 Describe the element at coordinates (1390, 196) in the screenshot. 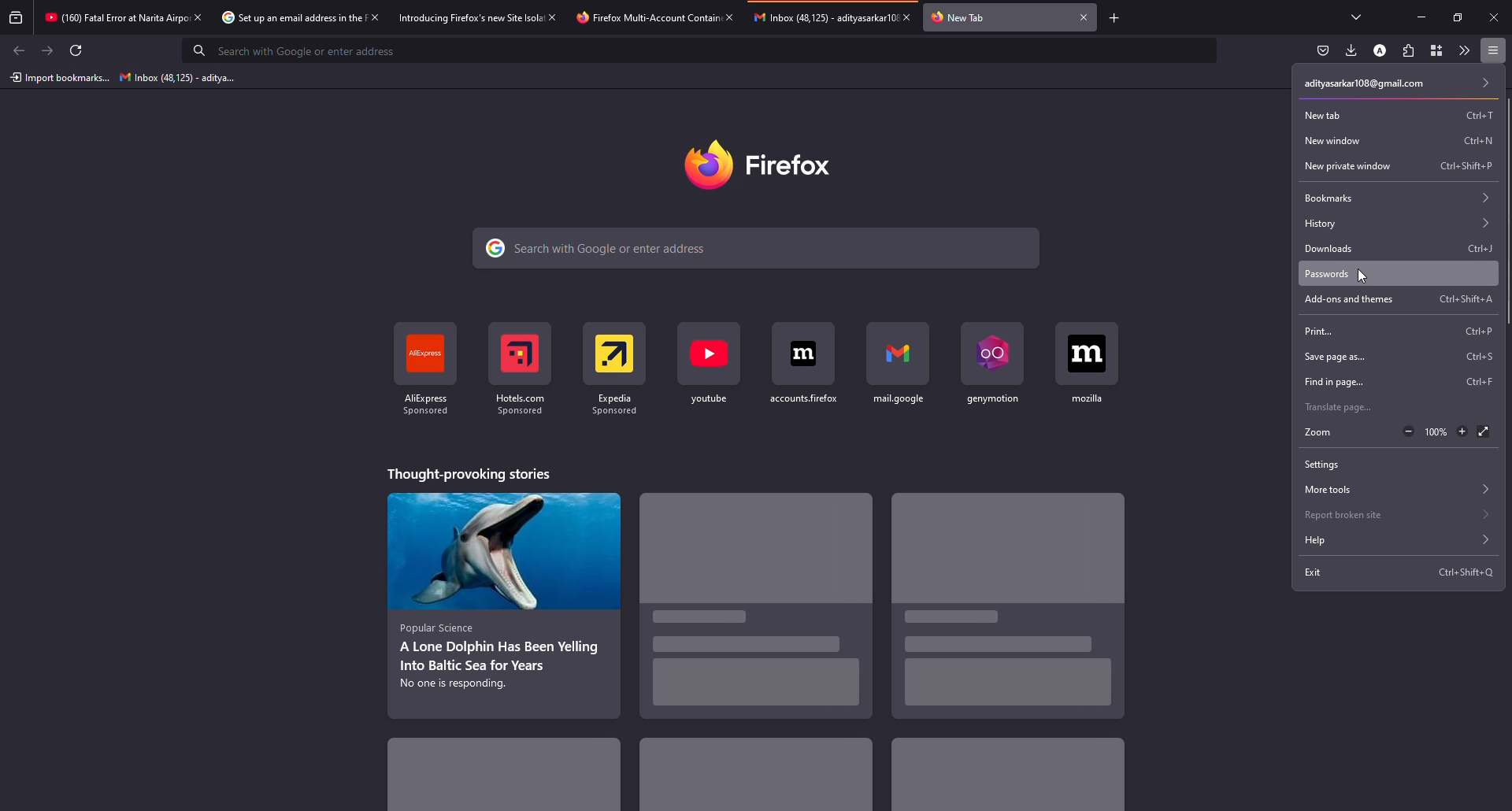

I see `bookmarks` at that location.